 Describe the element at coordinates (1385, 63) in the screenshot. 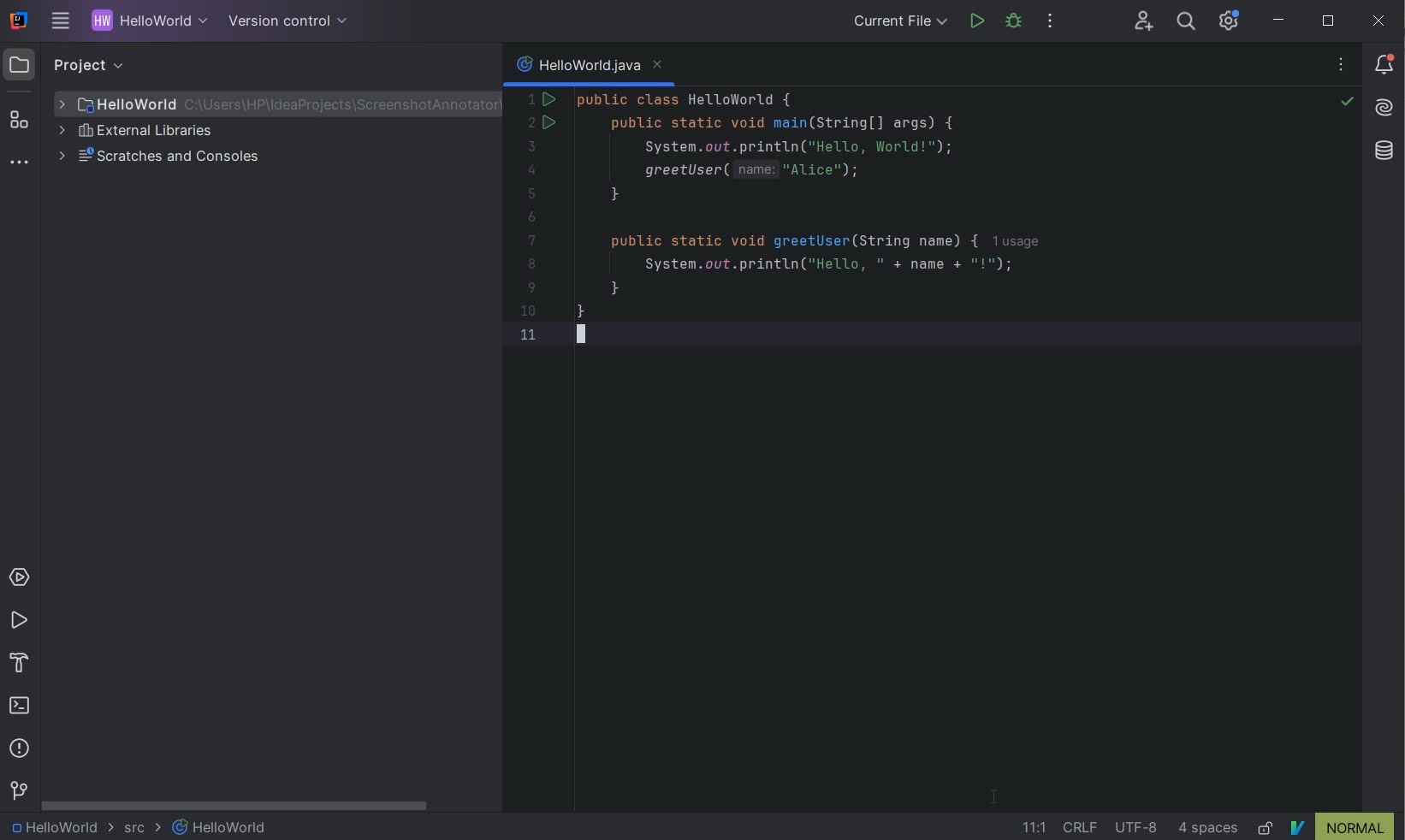

I see `NOTIFICATIONS` at that location.